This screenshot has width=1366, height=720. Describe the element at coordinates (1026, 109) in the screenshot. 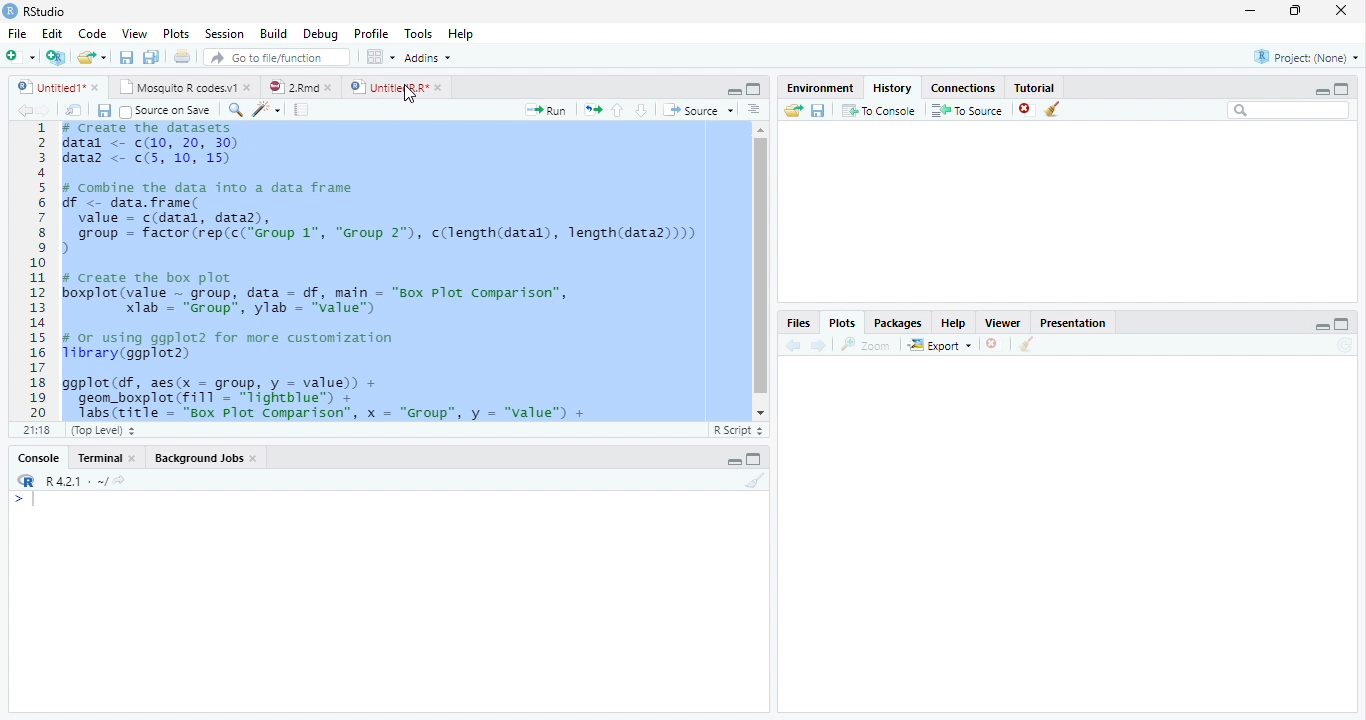

I see `Remove the selected history entries` at that location.